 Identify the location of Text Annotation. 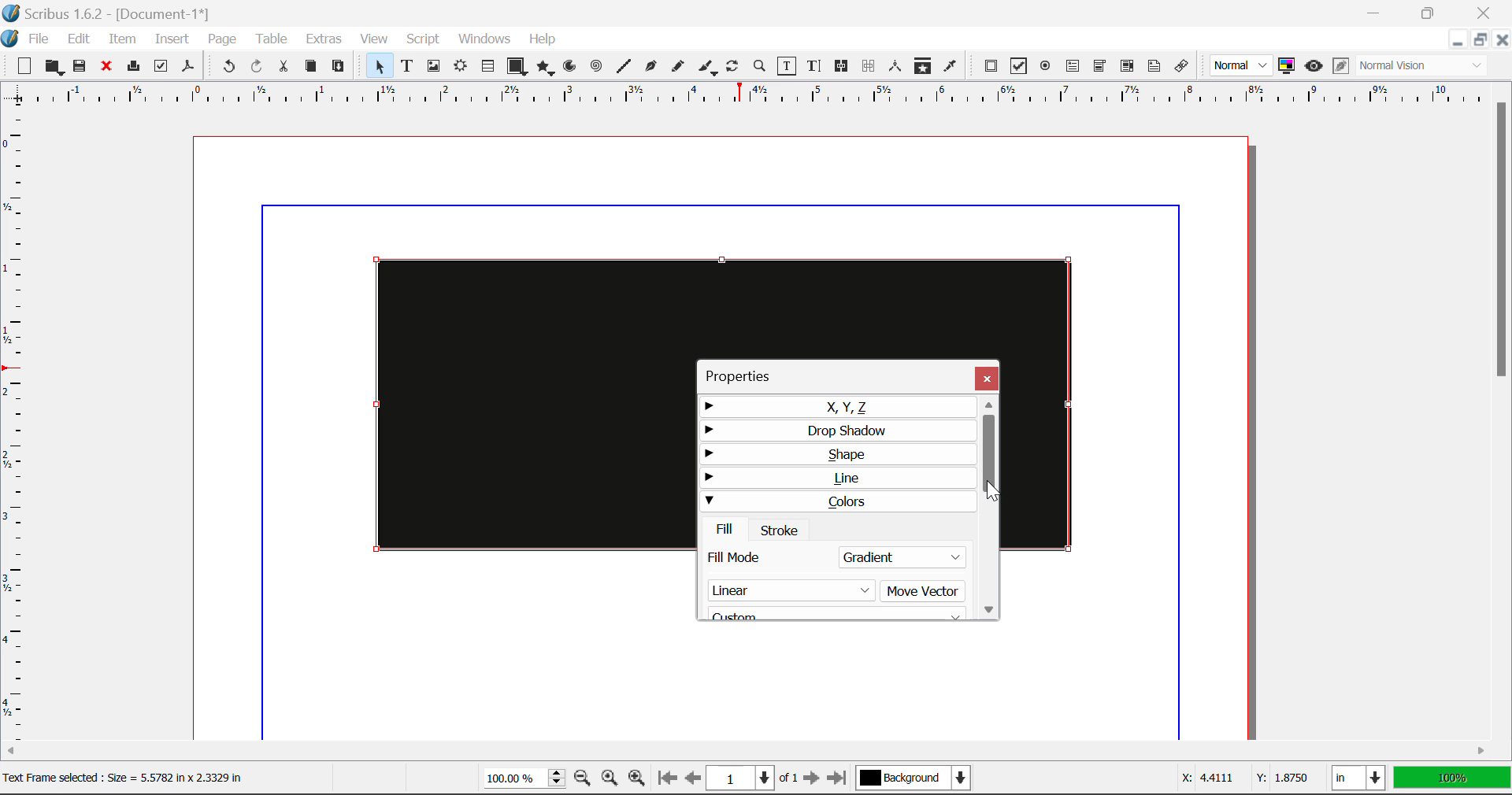
(1157, 67).